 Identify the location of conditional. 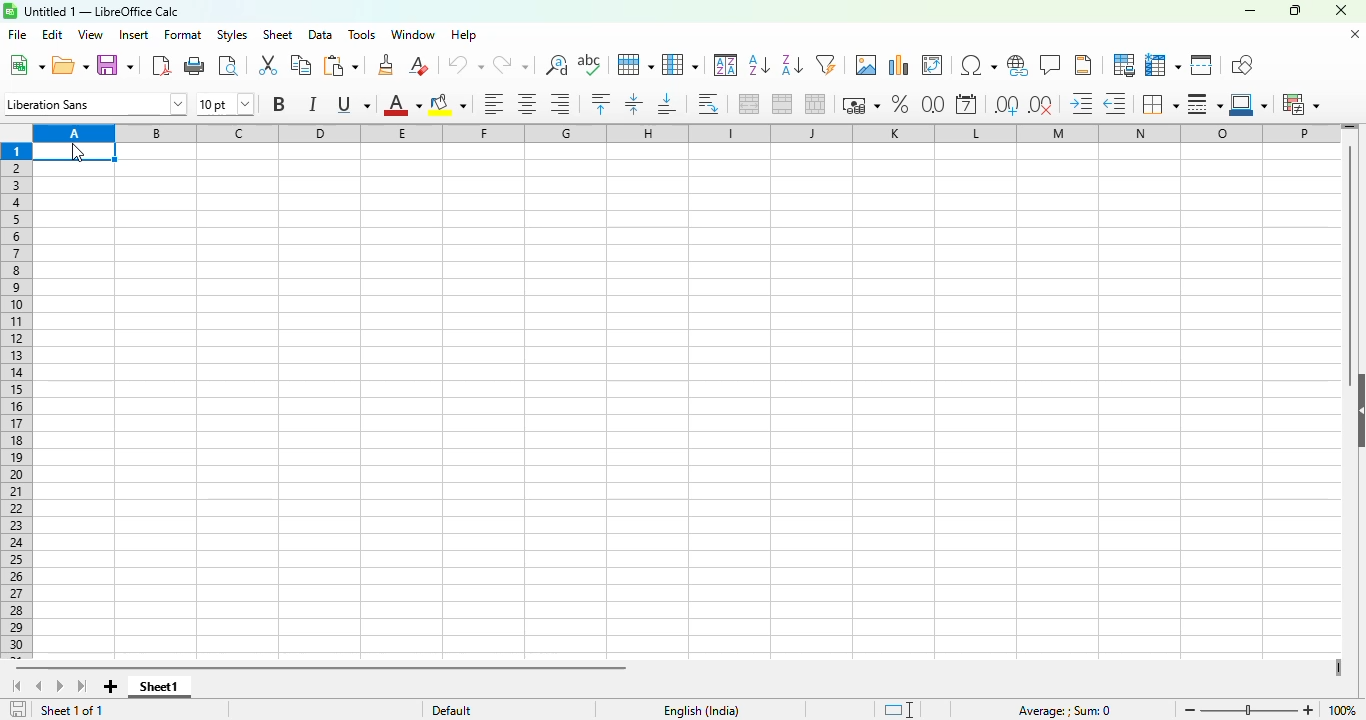
(1301, 104).